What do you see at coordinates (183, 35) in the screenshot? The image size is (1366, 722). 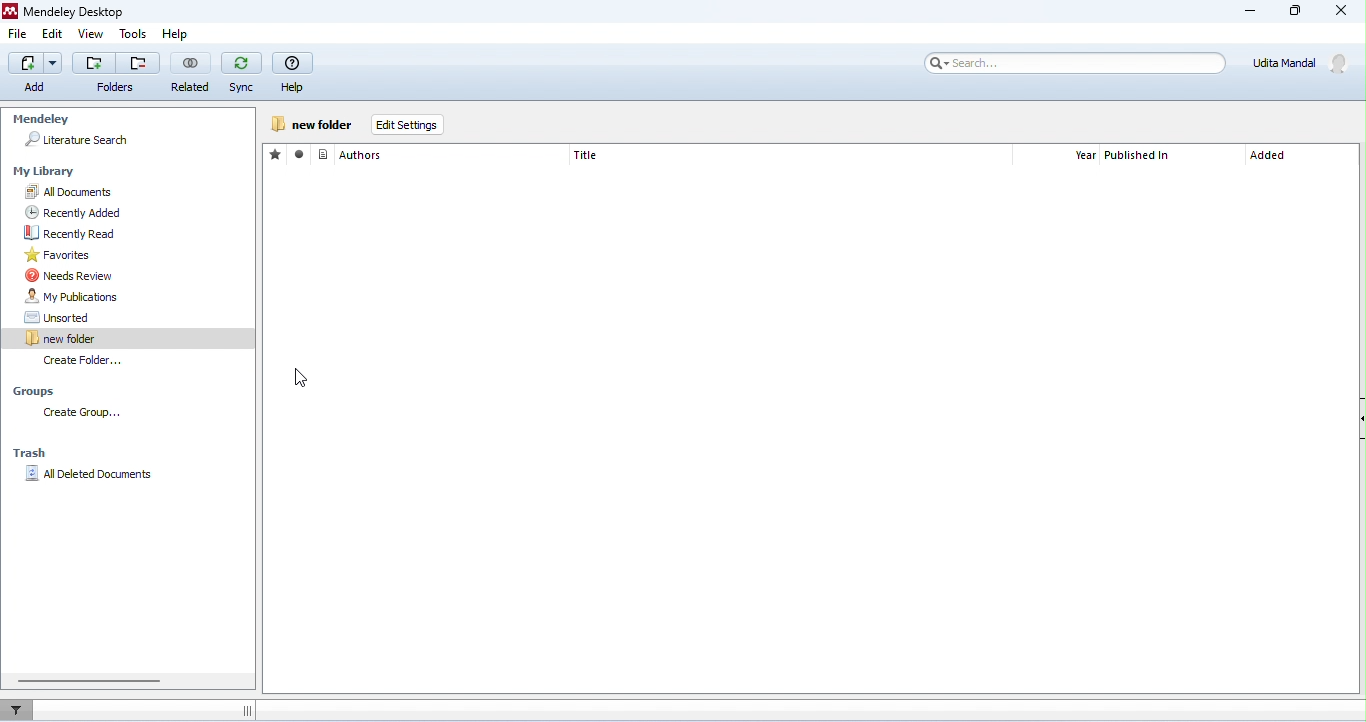 I see `help` at bounding box center [183, 35].